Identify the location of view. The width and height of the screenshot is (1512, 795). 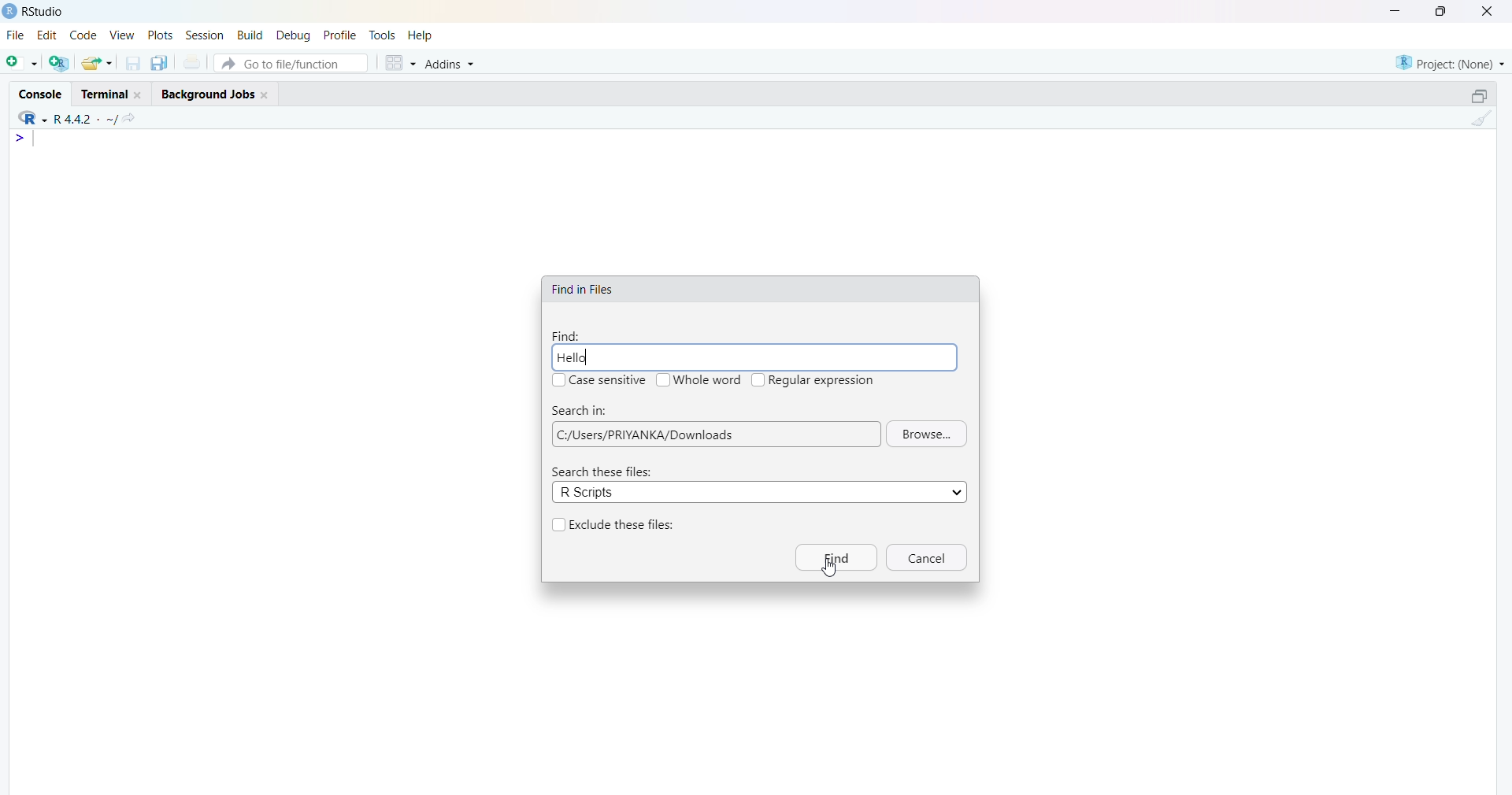
(122, 34).